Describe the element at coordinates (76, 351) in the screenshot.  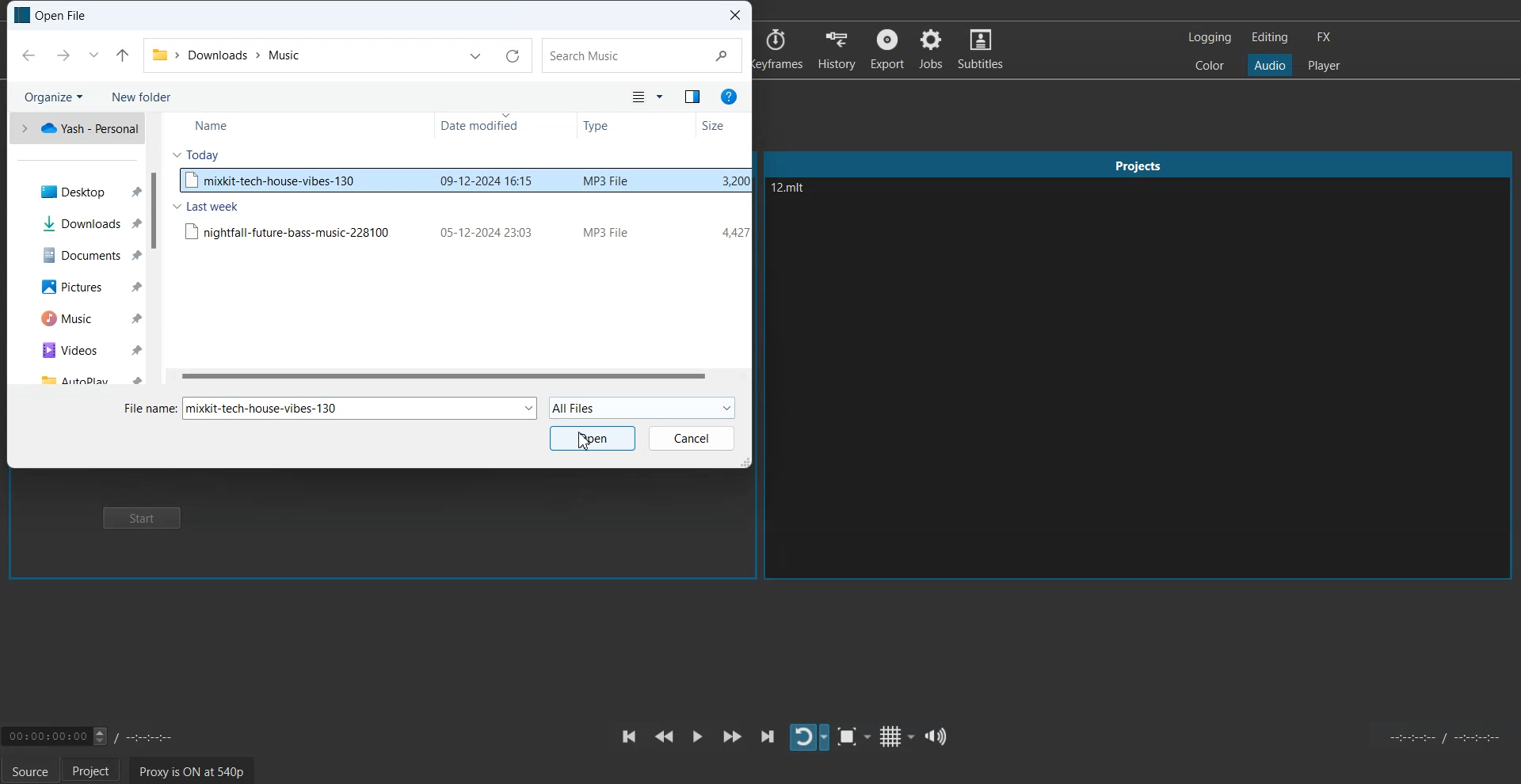
I see `Video` at that location.